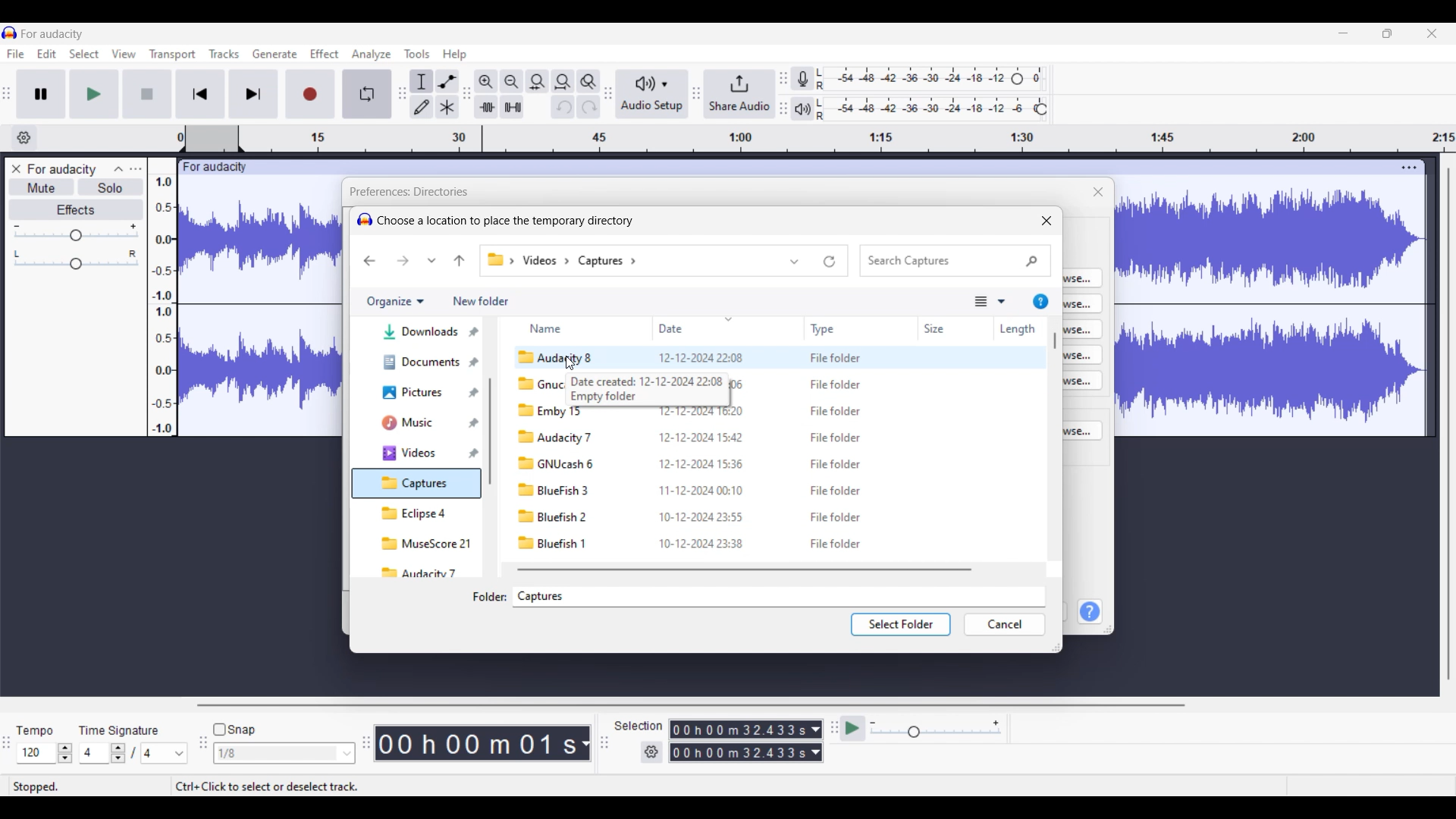 This screenshot has width=1456, height=819. I want to click on 10-12-2024 23:55, so click(703, 516).